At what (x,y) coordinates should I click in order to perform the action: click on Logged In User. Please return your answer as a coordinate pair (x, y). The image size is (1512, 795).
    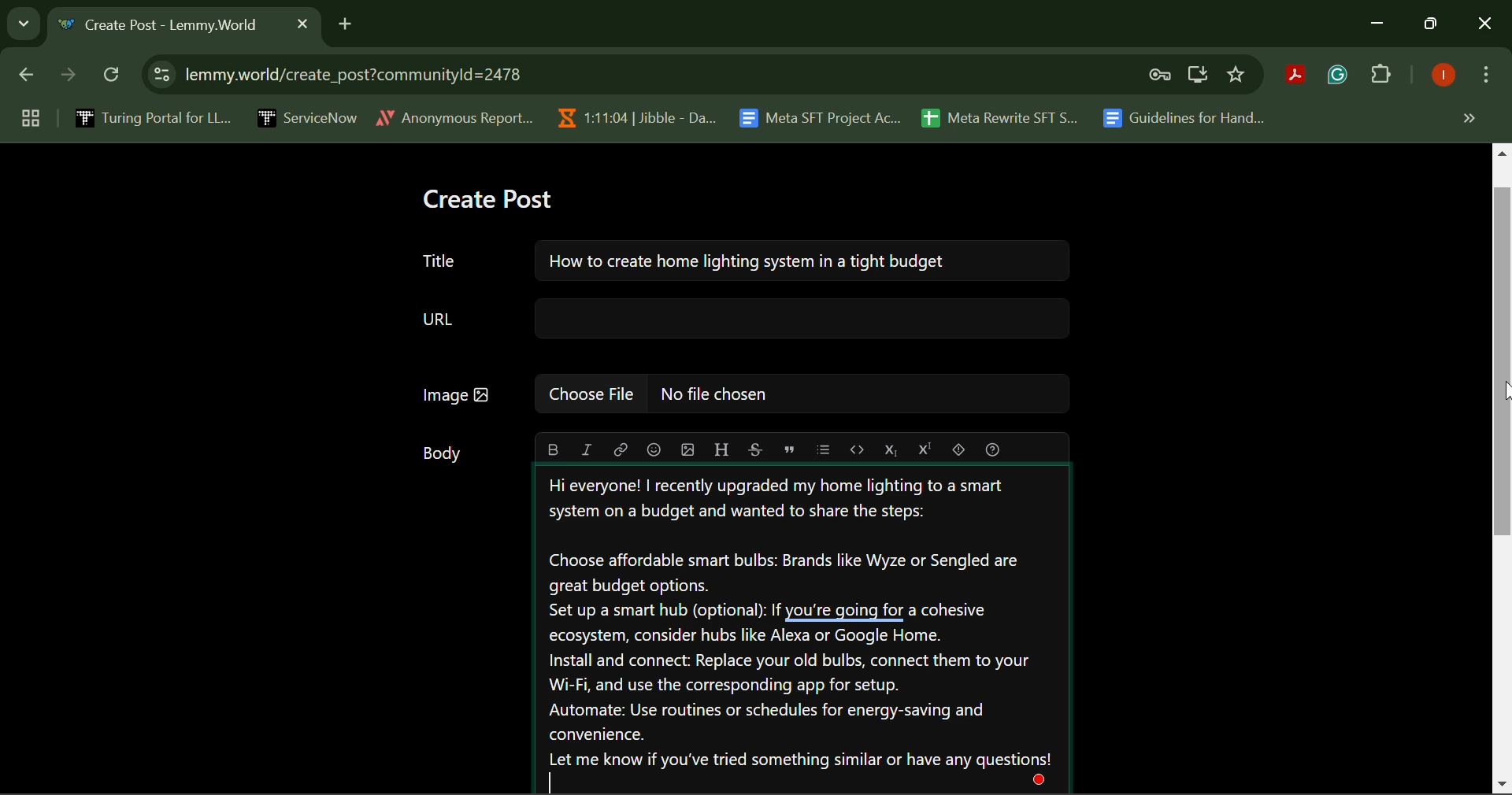
    Looking at the image, I should click on (1440, 76).